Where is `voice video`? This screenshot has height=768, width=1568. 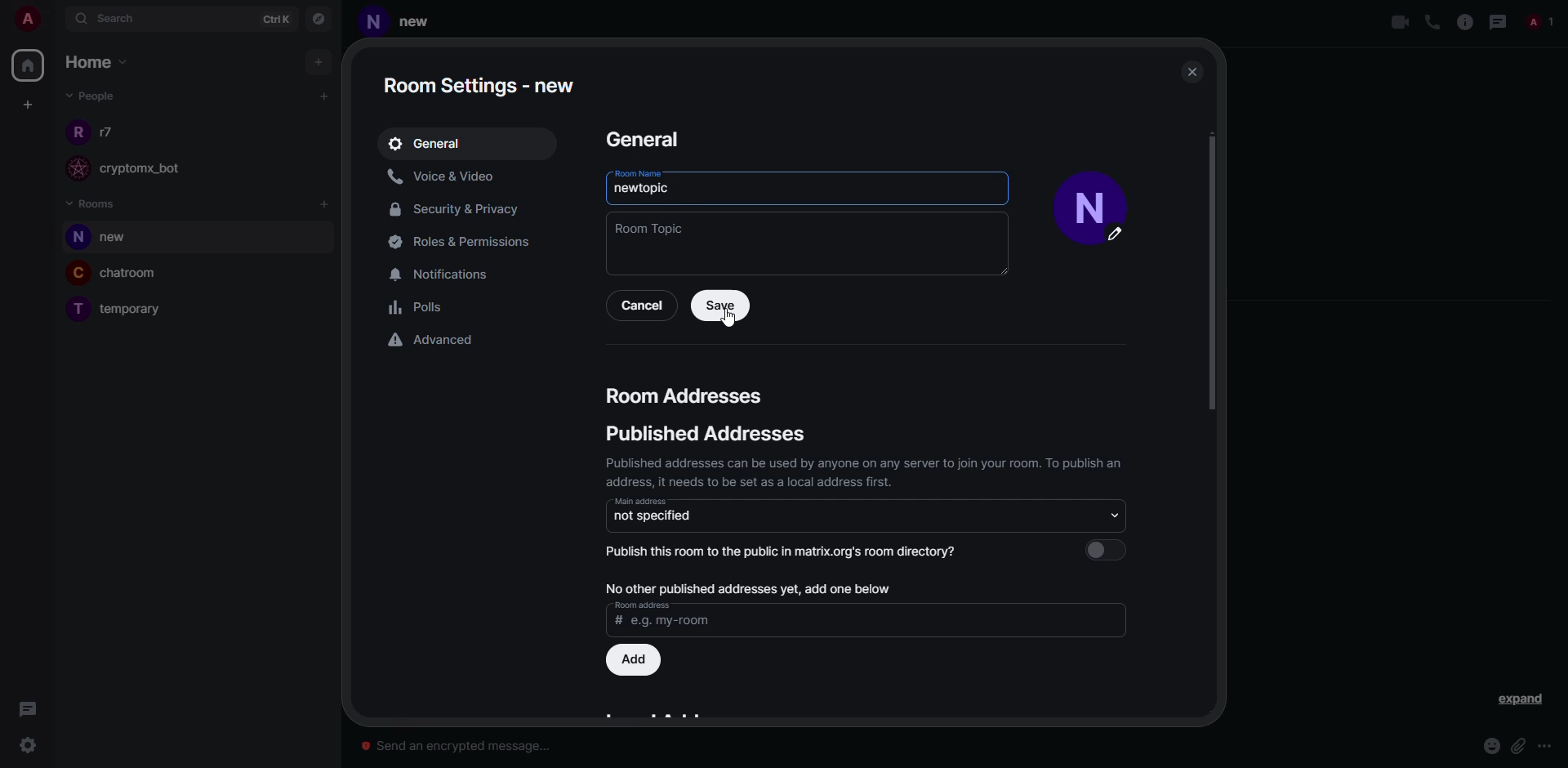 voice video is located at coordinates (445, 176).